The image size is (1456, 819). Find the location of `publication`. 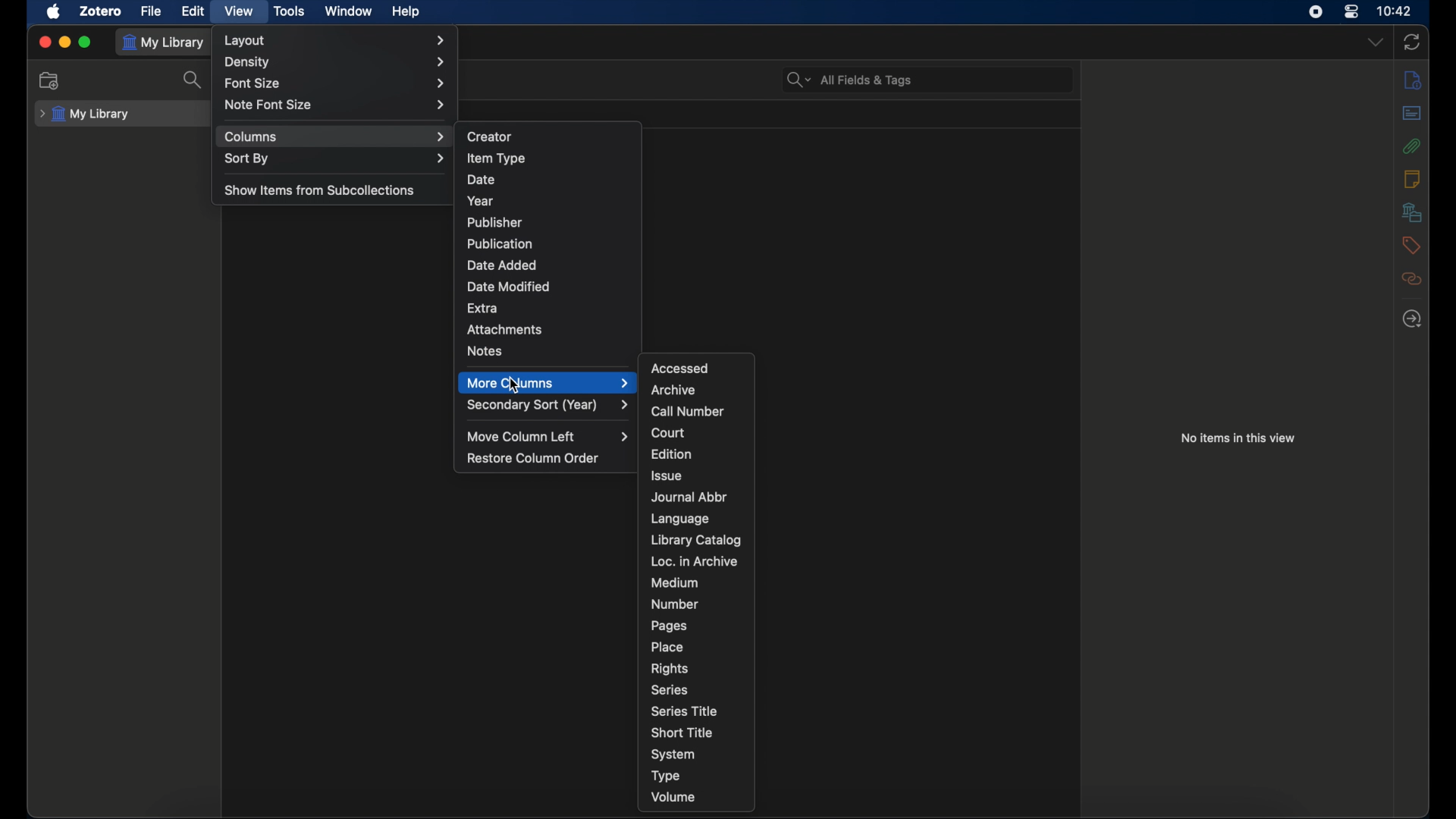

publication is located at coordinates (500, 243).